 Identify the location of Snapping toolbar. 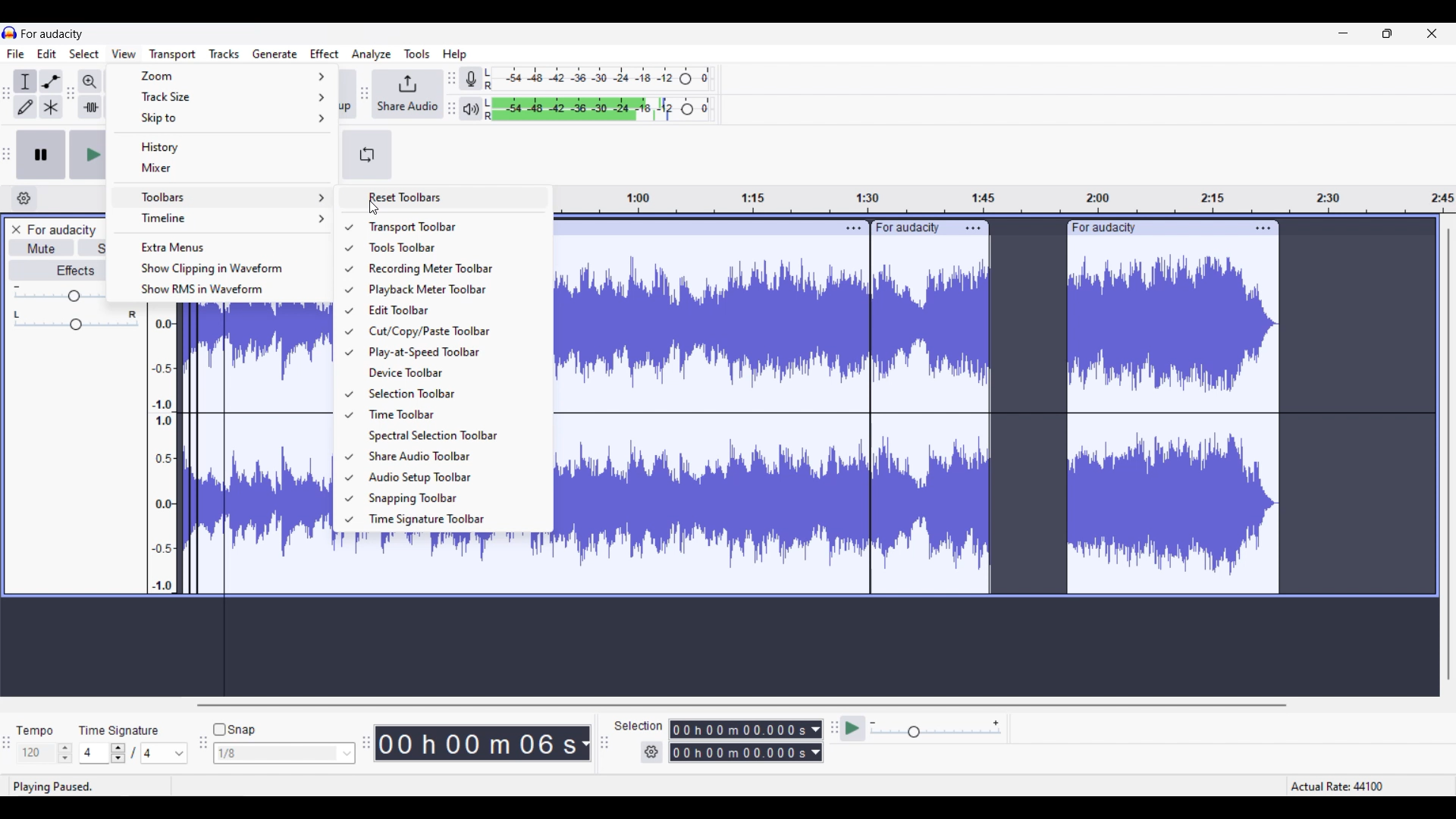
(451, 499).